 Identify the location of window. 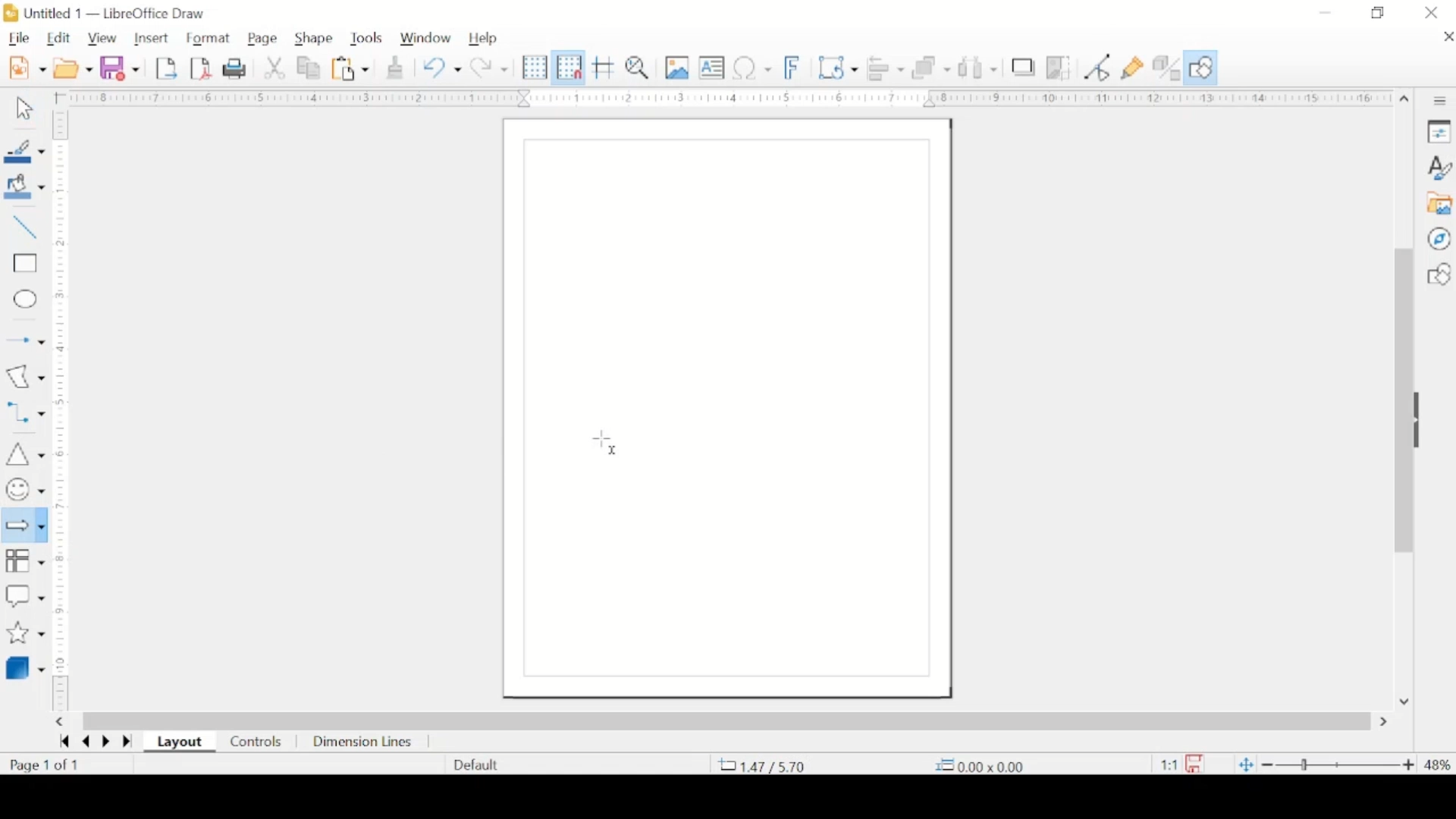
(427, 38).